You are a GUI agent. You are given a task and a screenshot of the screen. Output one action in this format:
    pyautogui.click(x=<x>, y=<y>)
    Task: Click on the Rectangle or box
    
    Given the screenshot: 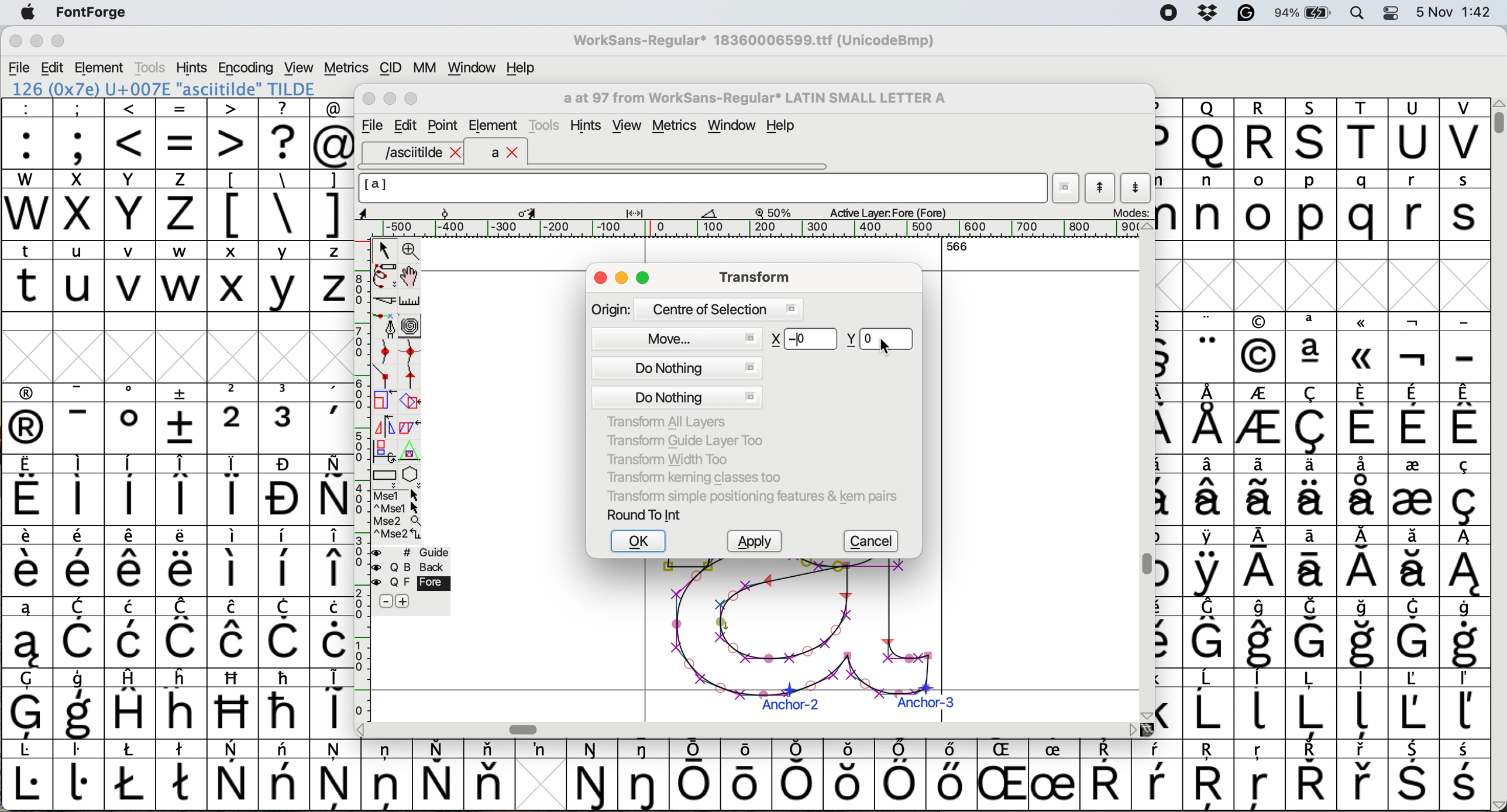 What is the action you would take?
    pyautogui.click(x=384, y=475)
    